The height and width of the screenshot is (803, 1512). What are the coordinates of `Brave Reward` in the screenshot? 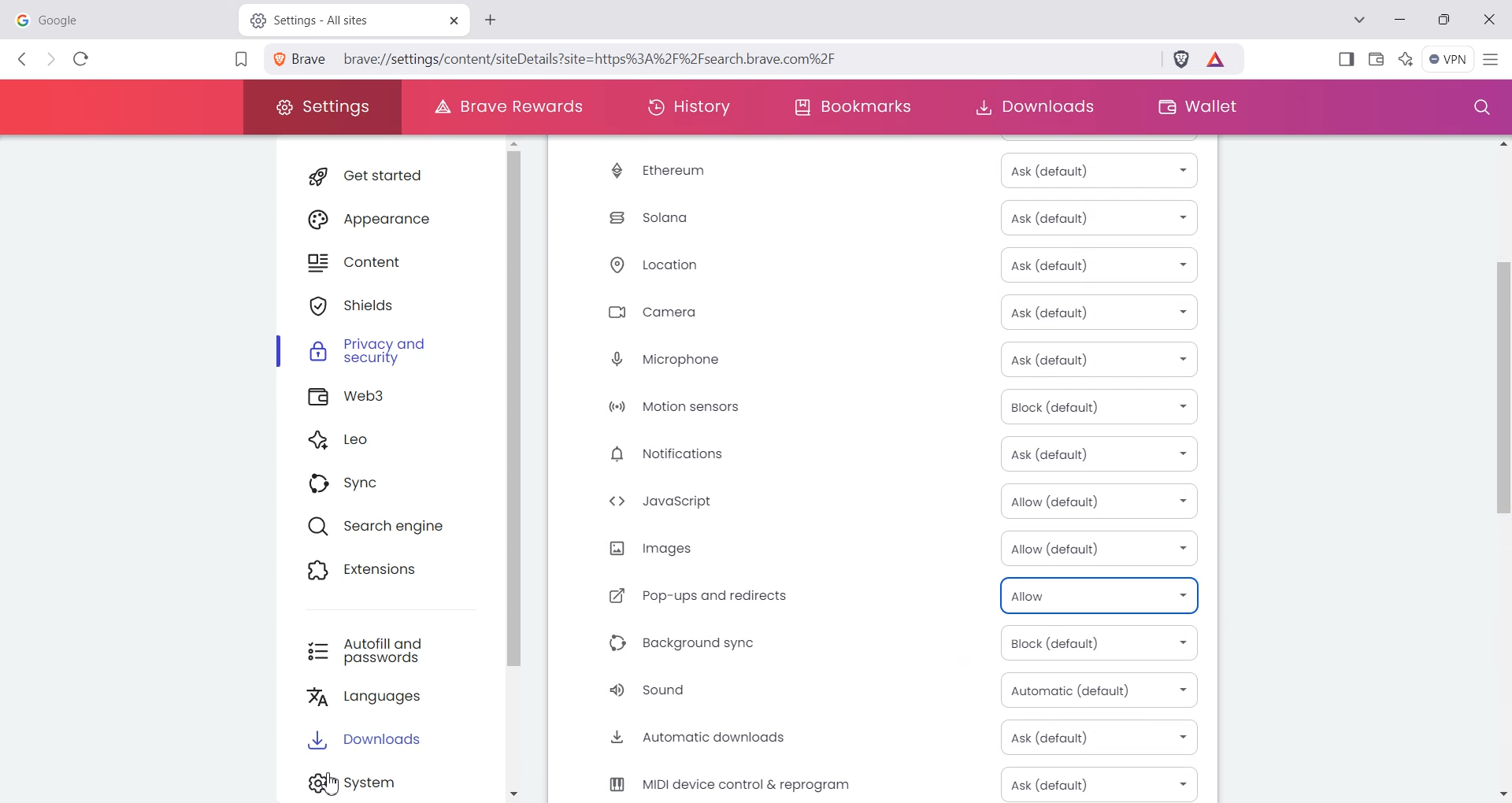 It's located at (1217, 61).